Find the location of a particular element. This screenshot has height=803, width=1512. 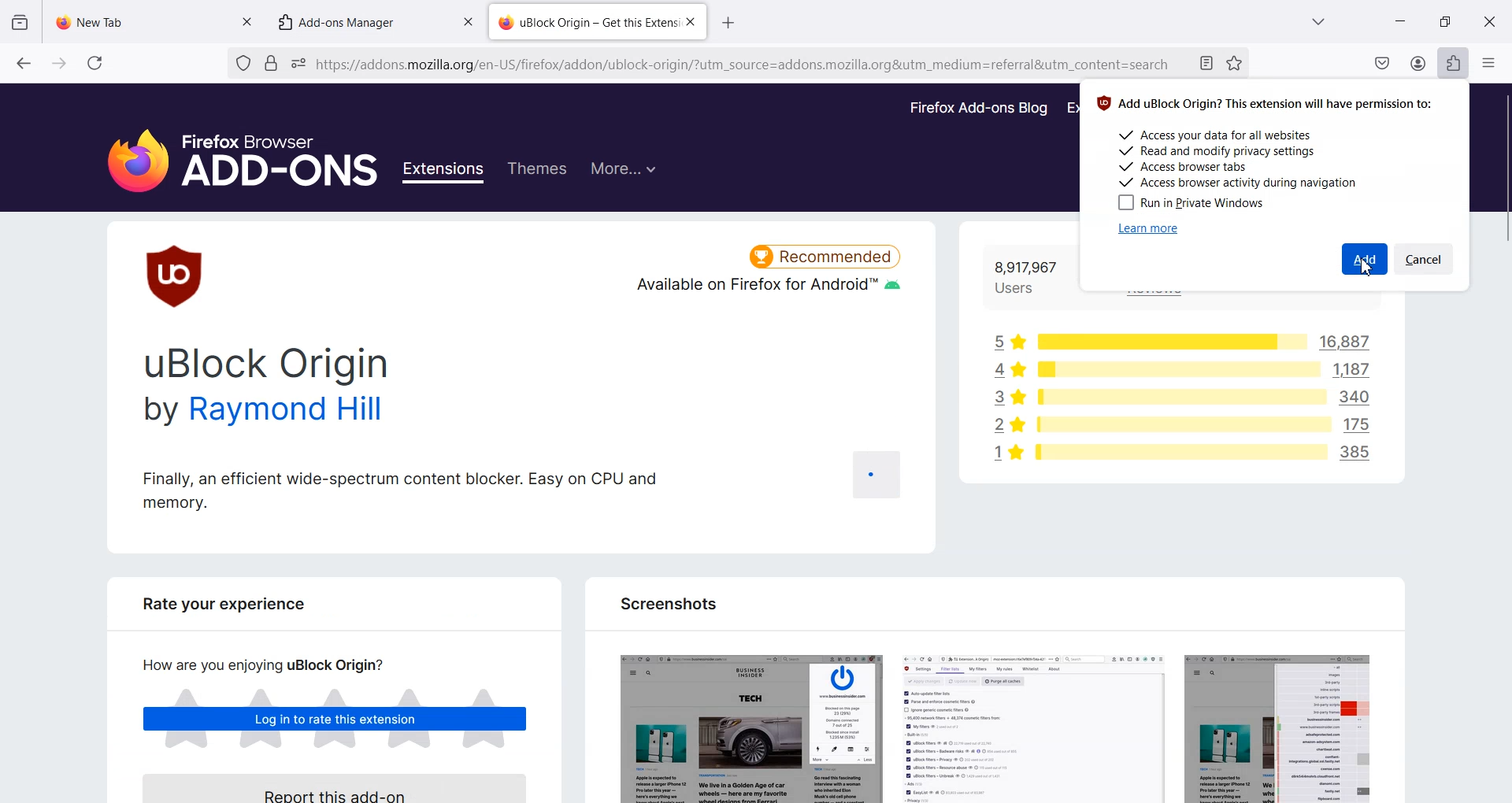

Cancel is located at coordinates (1427, 259).